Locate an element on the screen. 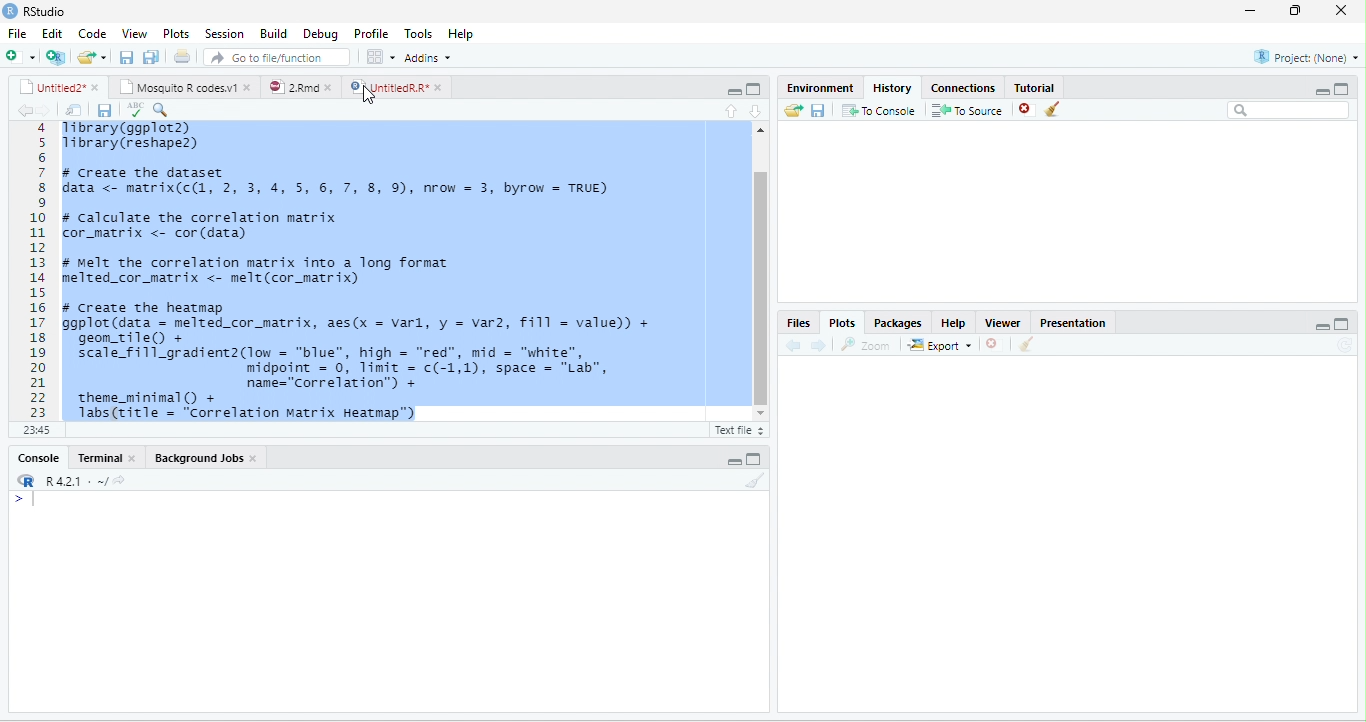  R is located at coordinates (72, 481).